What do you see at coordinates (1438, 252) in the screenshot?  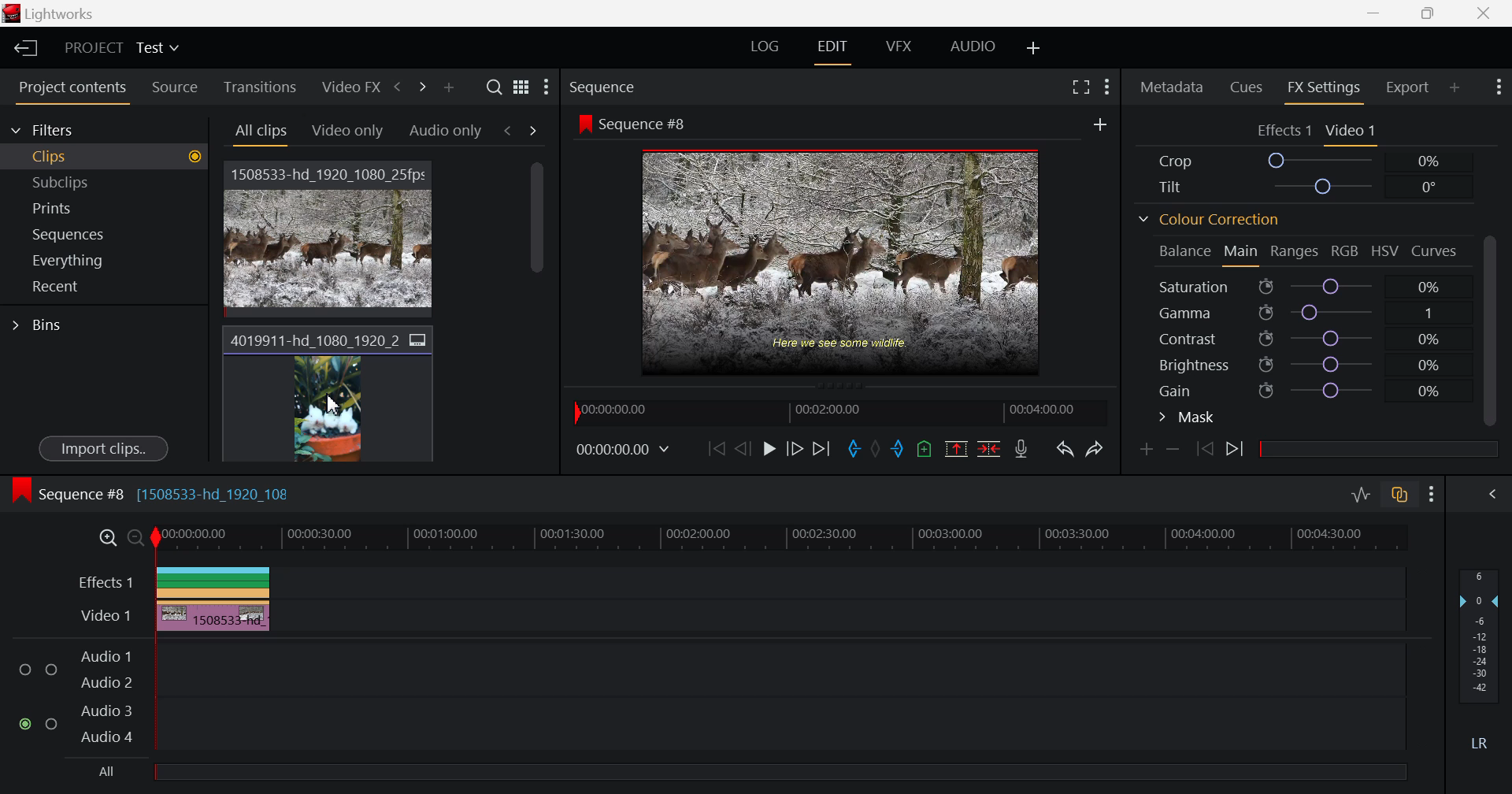 I see `Curves` at bounding box center [1438, 252].